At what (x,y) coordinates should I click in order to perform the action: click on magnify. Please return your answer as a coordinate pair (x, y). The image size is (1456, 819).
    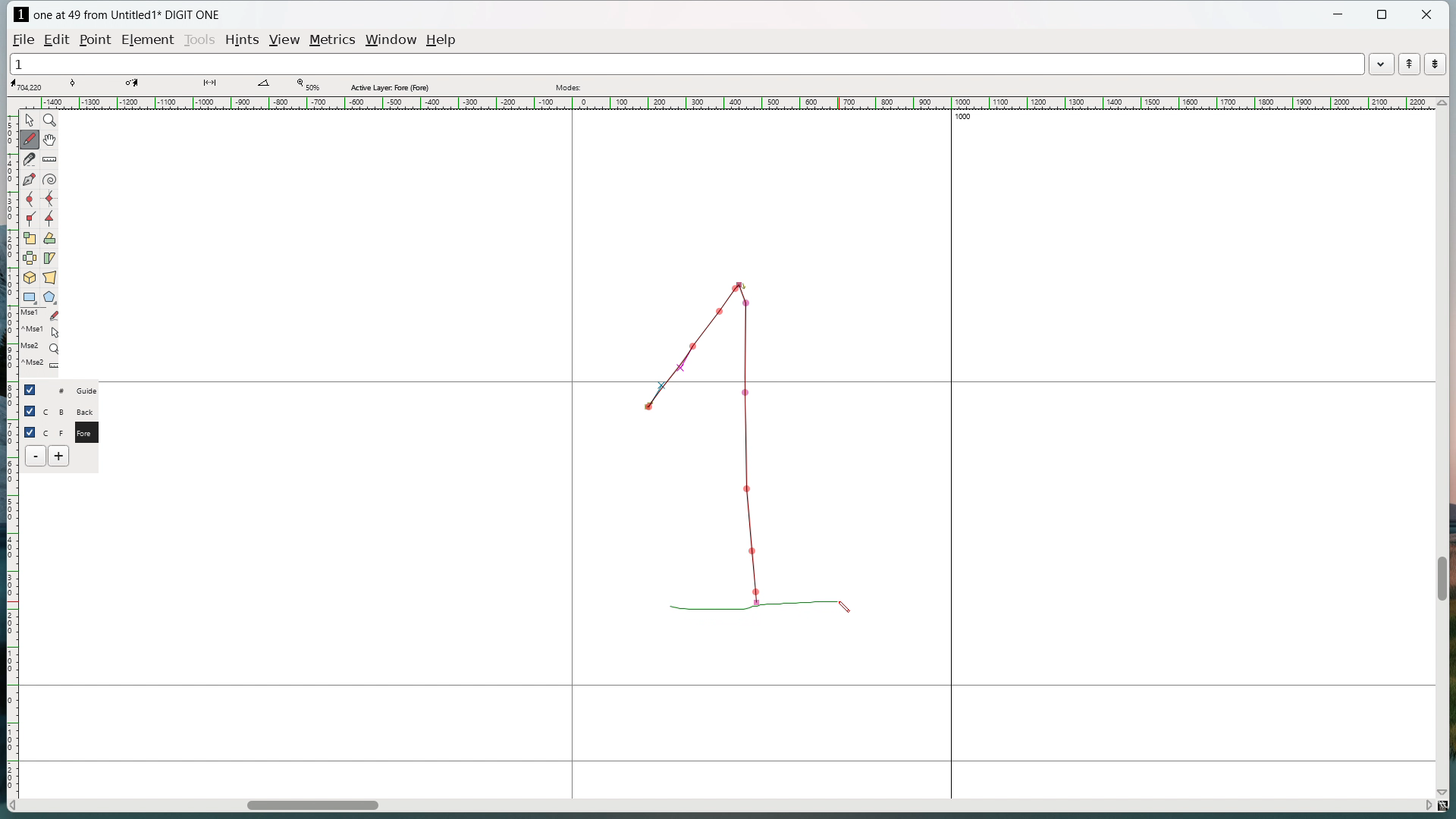
    Looking at the image, I should click on (50, 120).